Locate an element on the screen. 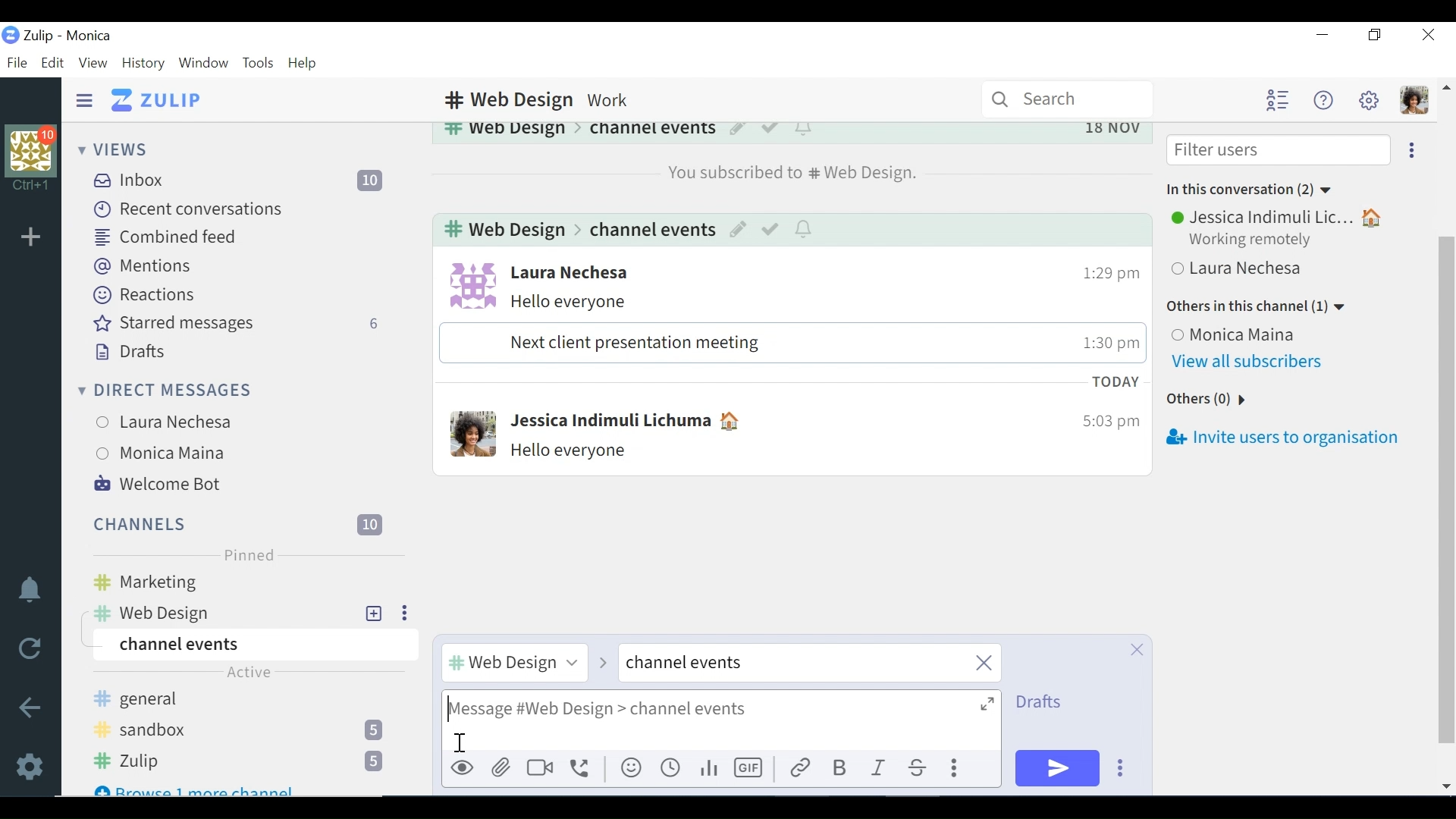 The image size is (1456, 819). Settings is located at coordinates (33, 764).